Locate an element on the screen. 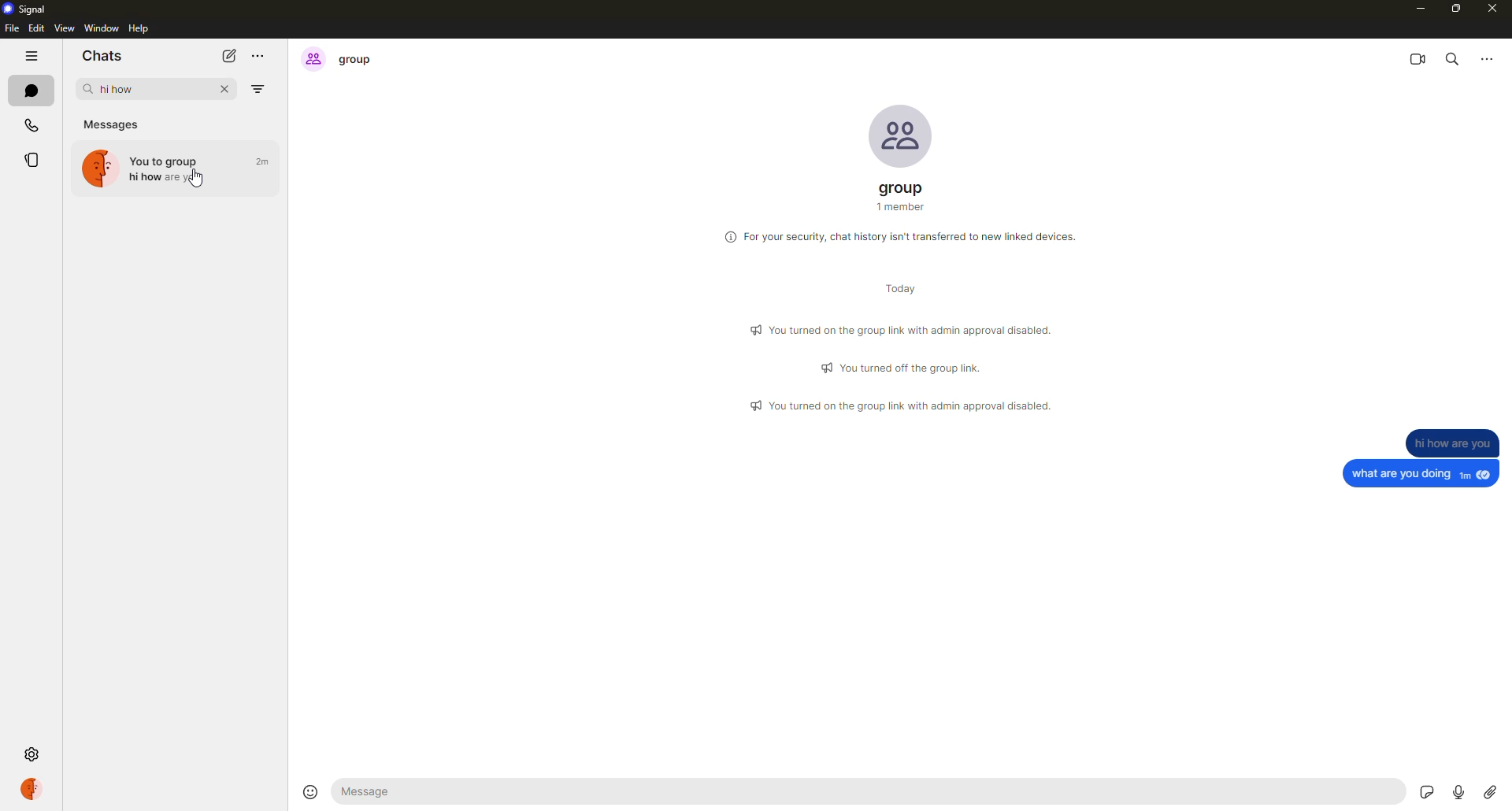  day is located at coordinates (893, 291).